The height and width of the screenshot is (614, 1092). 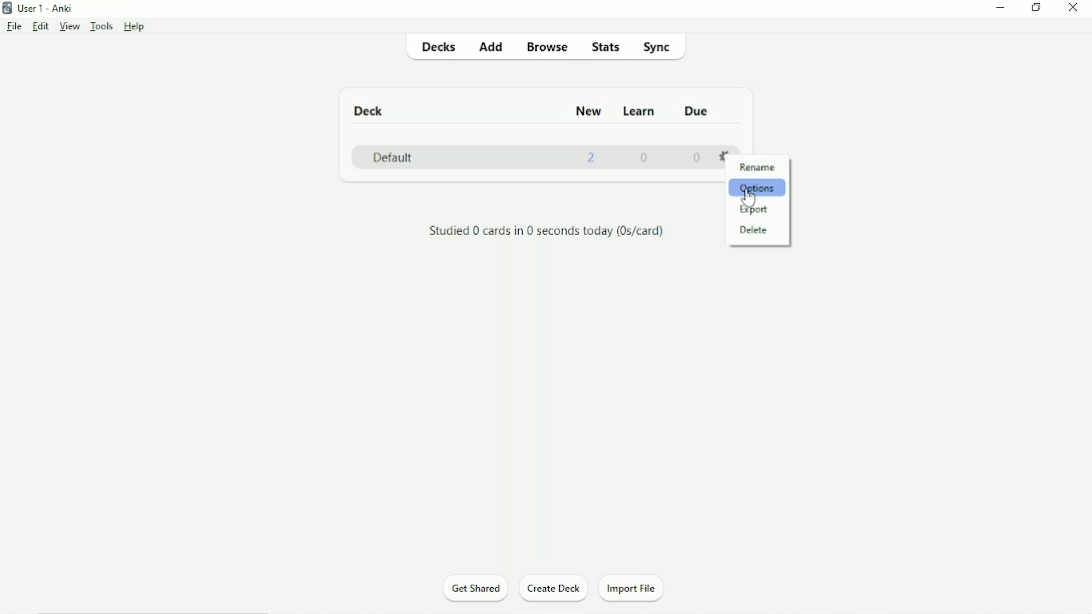 I want to click on Default, so click(x=395, y=157).